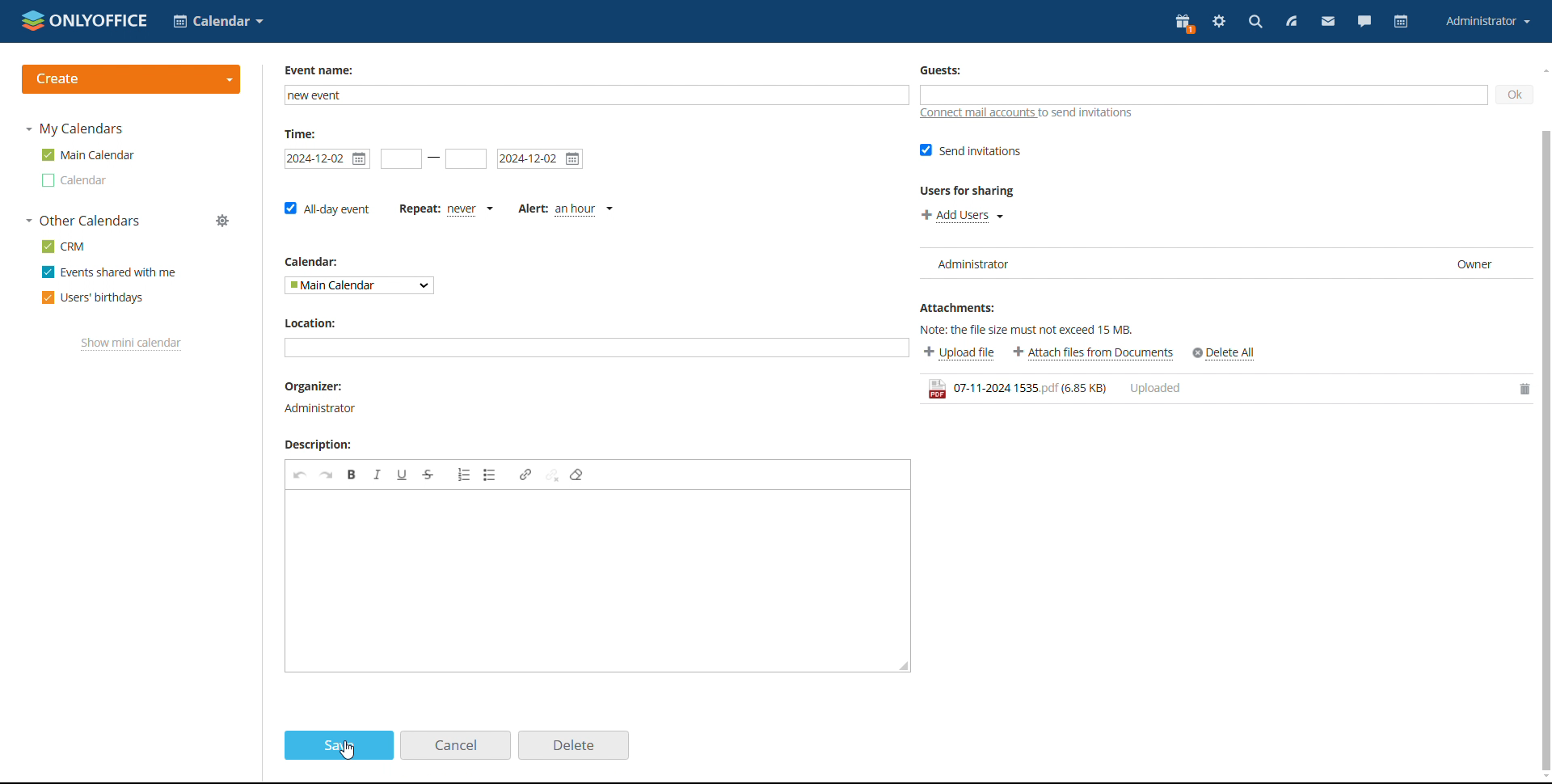 Image resolution: width=1552 pixels, height=784 pixels. Describe the element at coordinates (218, 22) in the screenshot. I see `select application` at that location.